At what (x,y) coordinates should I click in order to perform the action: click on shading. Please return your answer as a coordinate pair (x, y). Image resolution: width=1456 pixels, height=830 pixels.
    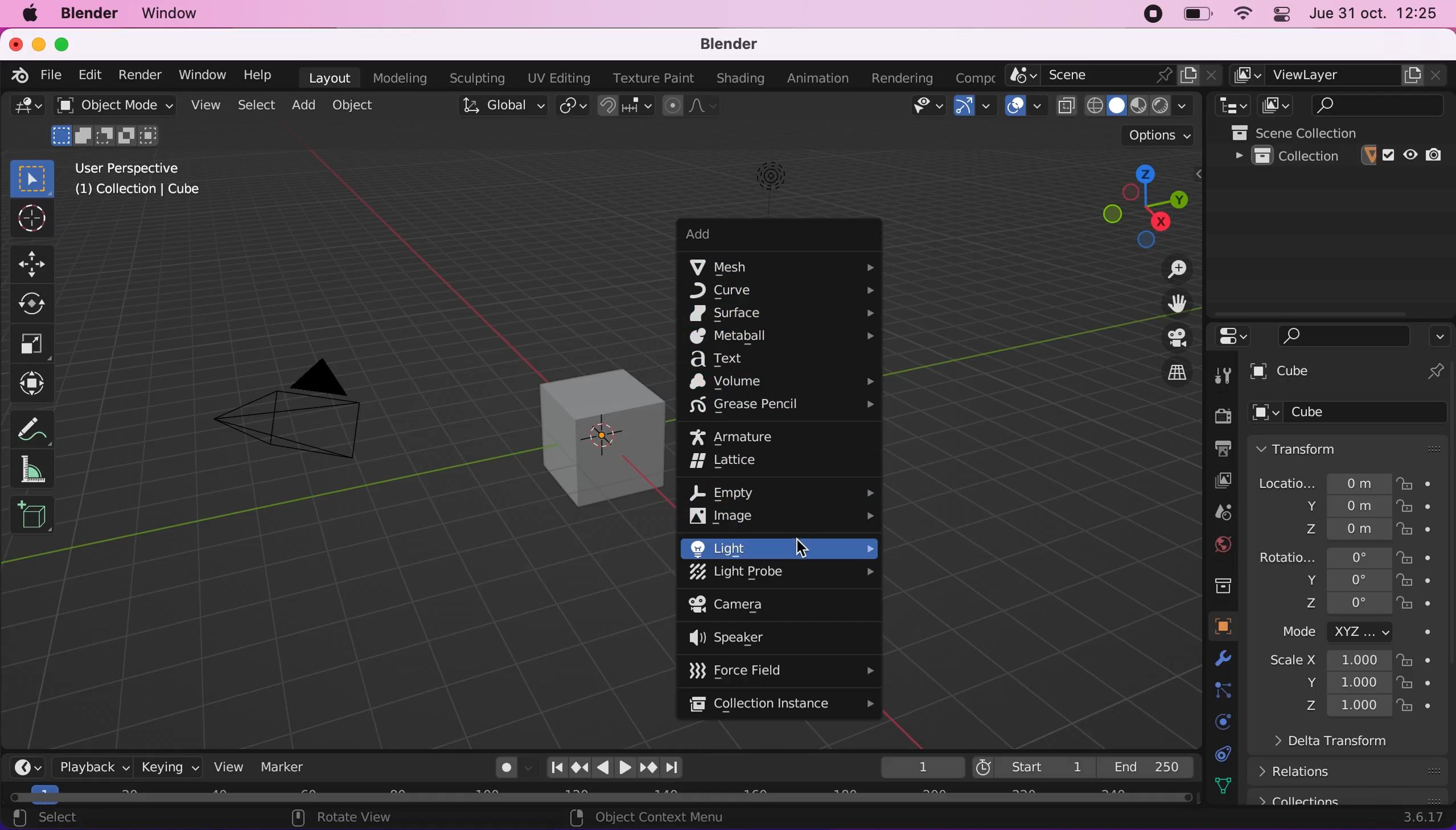
    Looking at the image, I should click on (737, 79).